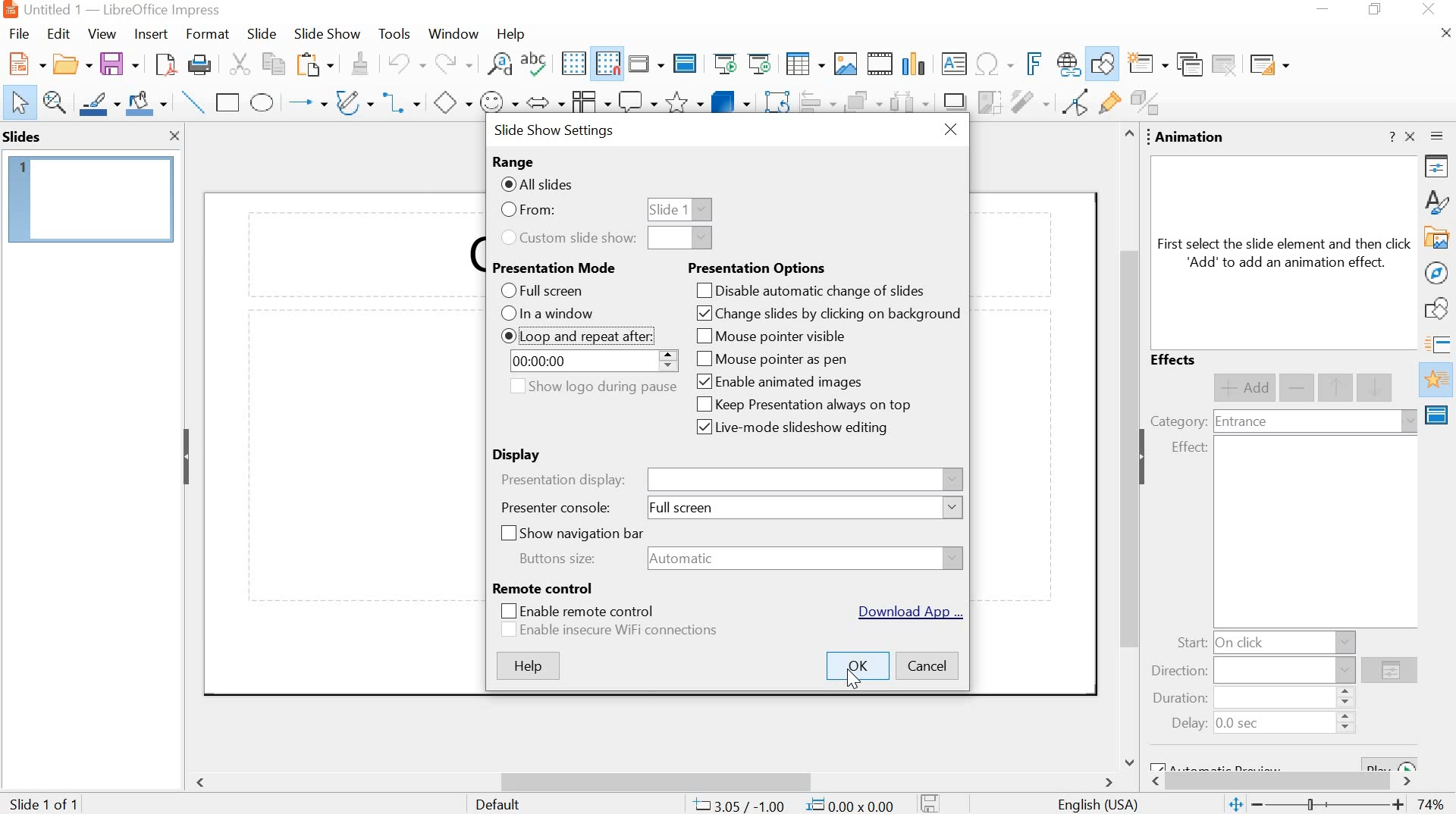 The height and width of the screenshot is (814, 1456). Describe the element at coordinates (541, 291) in the screenshot. I see `full screen` at that location.